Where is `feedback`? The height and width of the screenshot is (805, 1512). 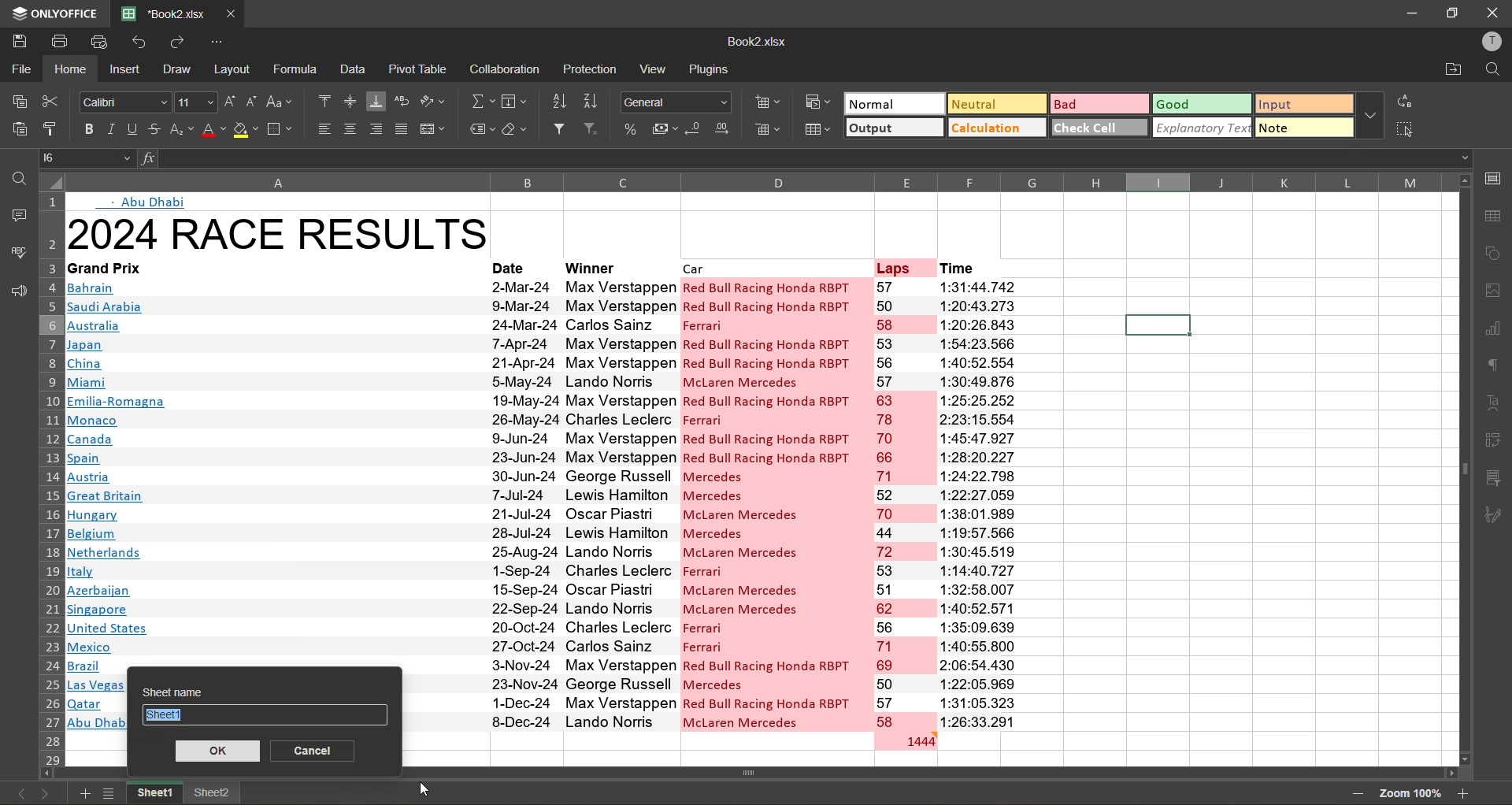 feedback is located at coordinates (16, 295).